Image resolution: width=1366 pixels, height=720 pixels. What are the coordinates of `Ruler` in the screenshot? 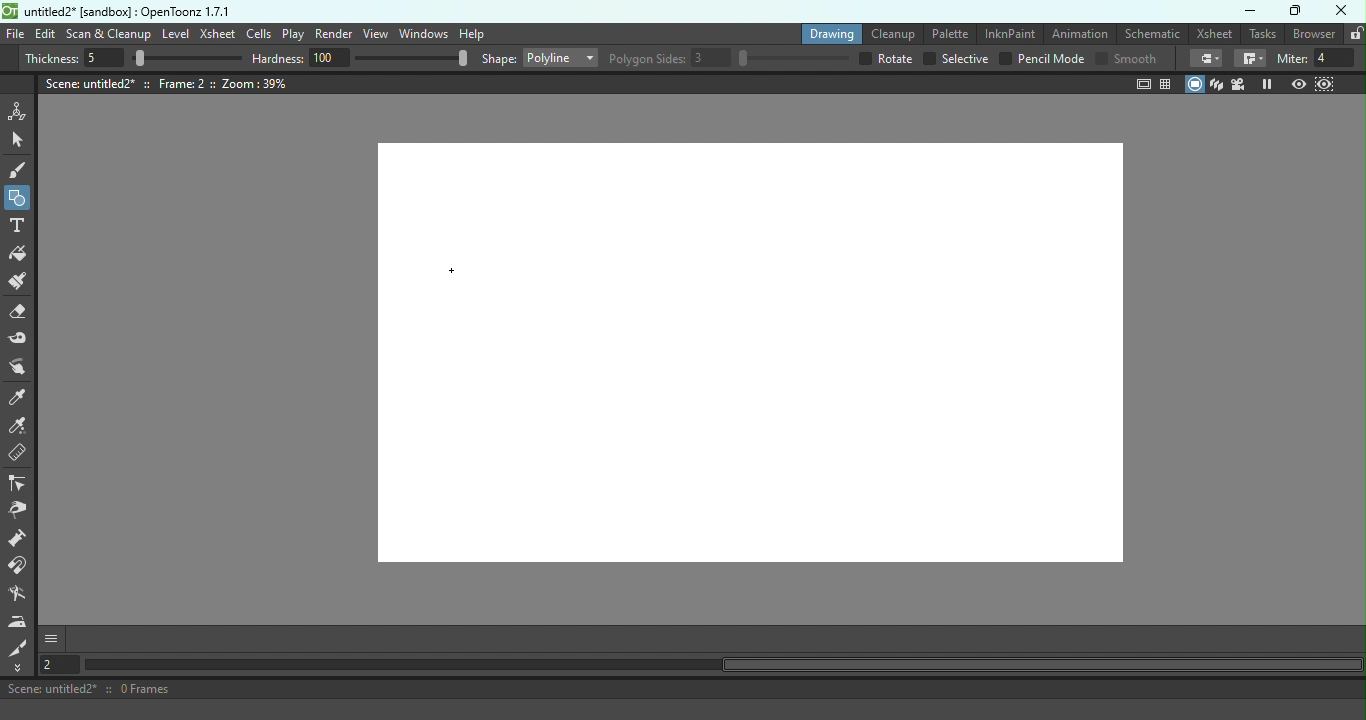 It's located at (24, 456).